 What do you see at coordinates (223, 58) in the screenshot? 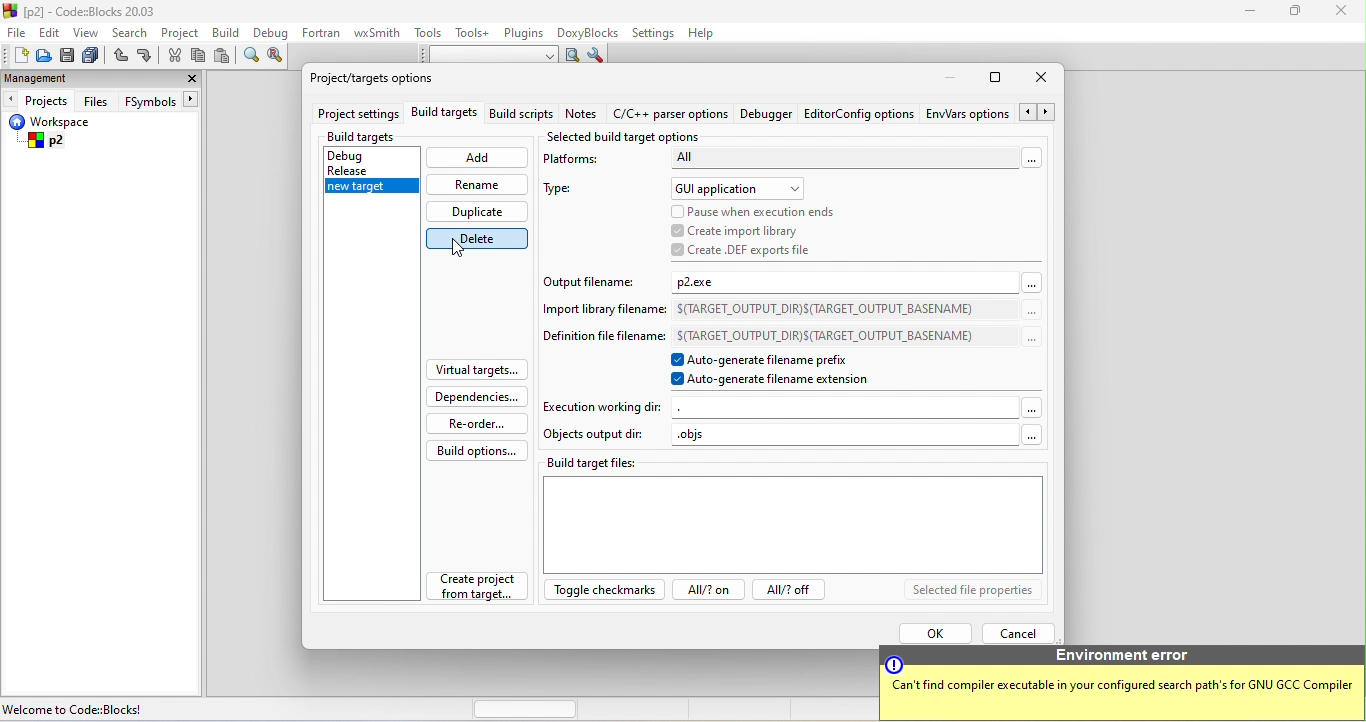
I see `paste` at bounding box center [223, 58].